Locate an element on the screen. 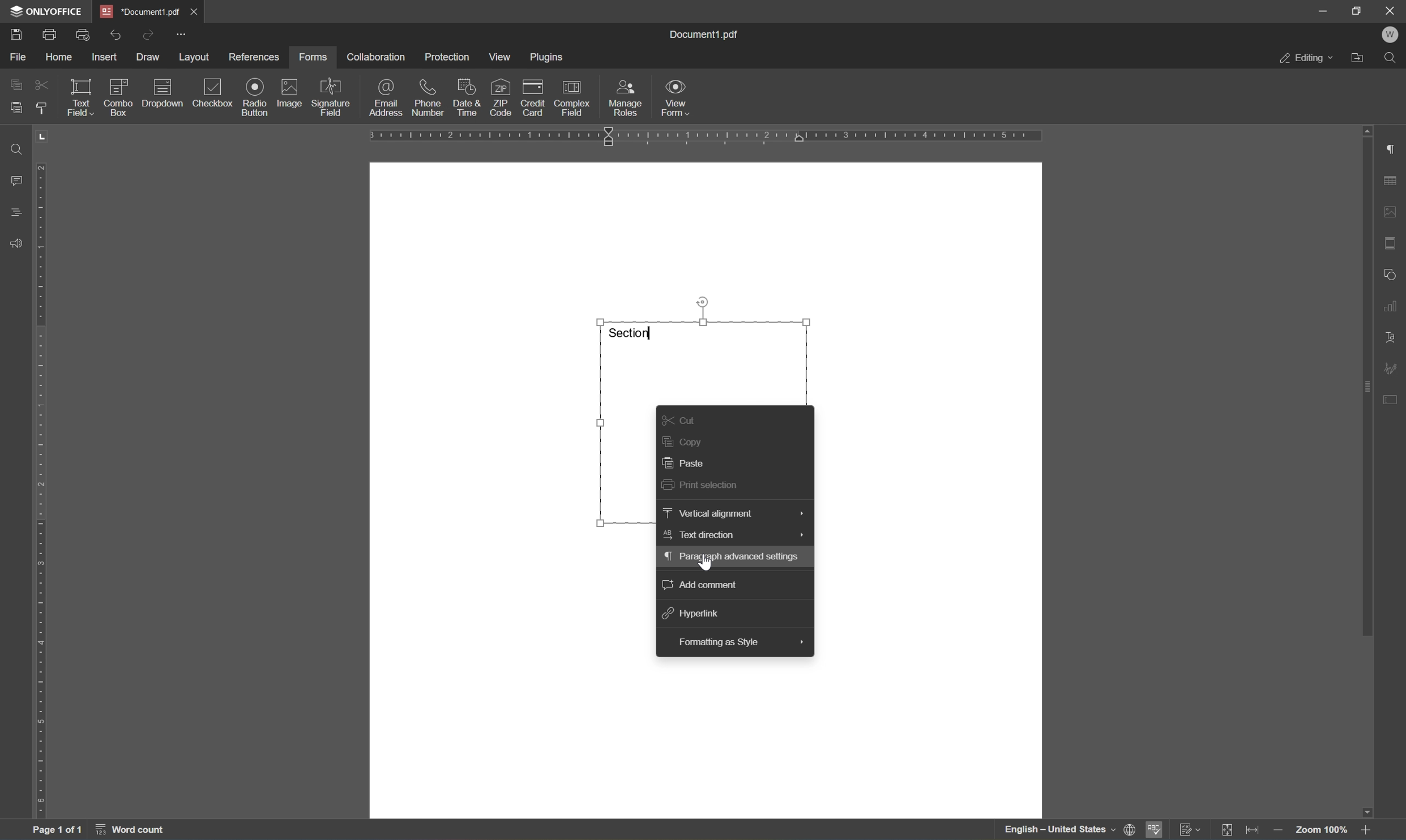 The image size is (1406, 840). combo box is located at coordinates (119, 95).